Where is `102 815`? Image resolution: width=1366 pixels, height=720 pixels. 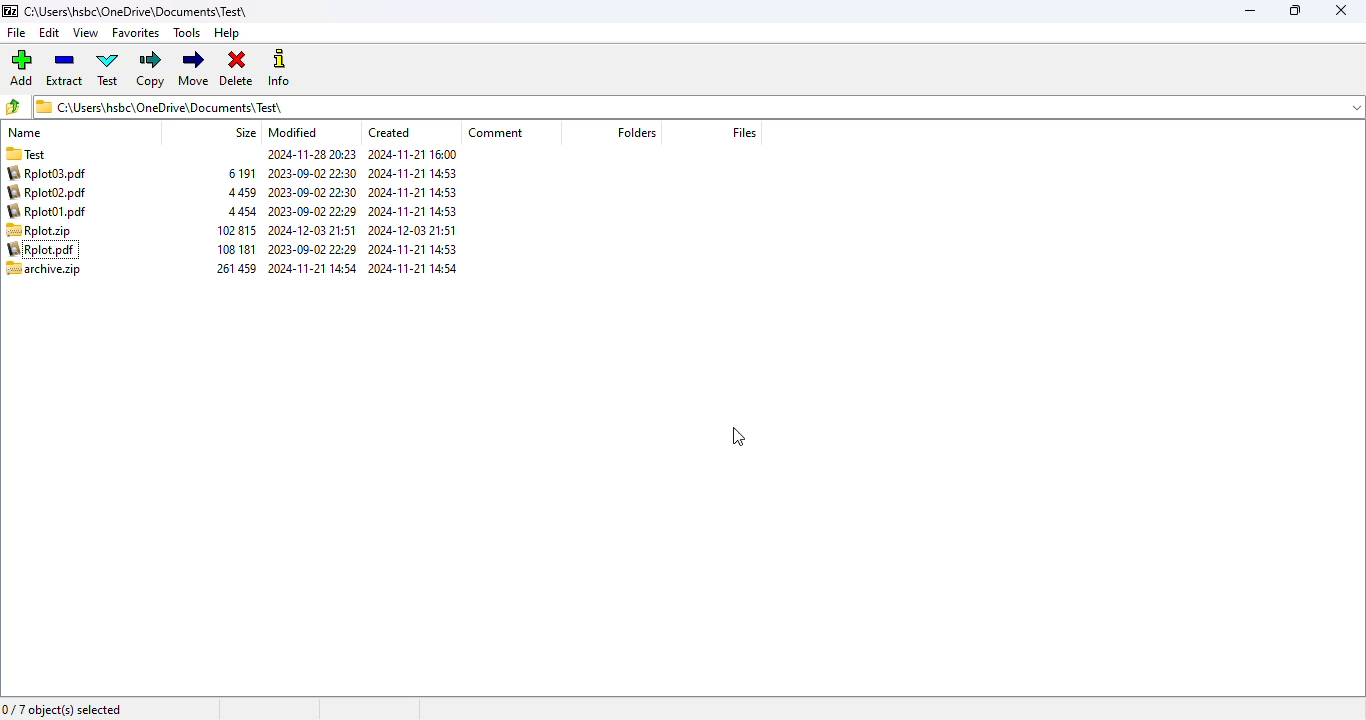
102 815 is located at coordinates (236, 229).